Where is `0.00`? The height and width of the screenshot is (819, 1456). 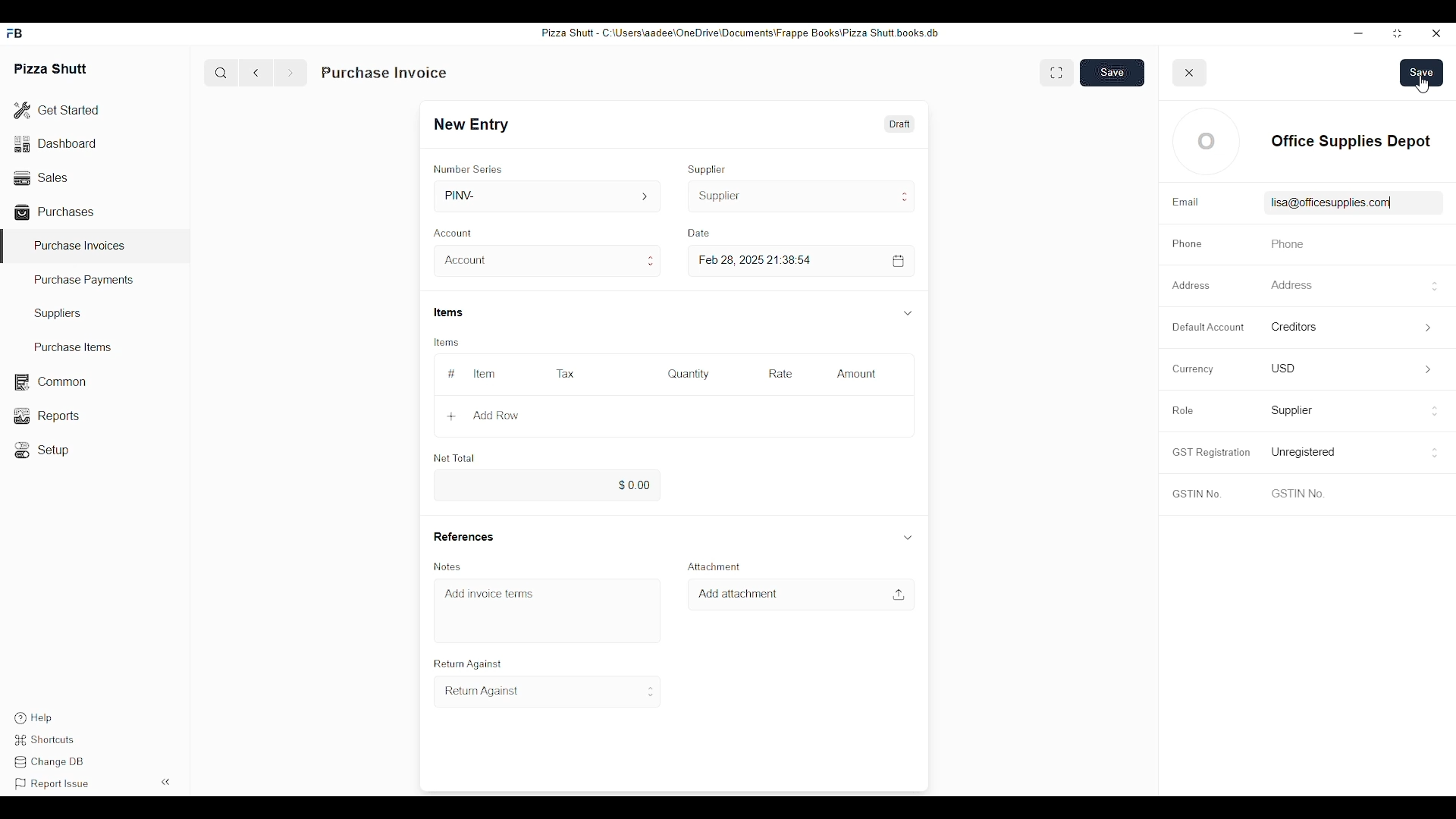
0.00 is located at coordinates (544, 486).